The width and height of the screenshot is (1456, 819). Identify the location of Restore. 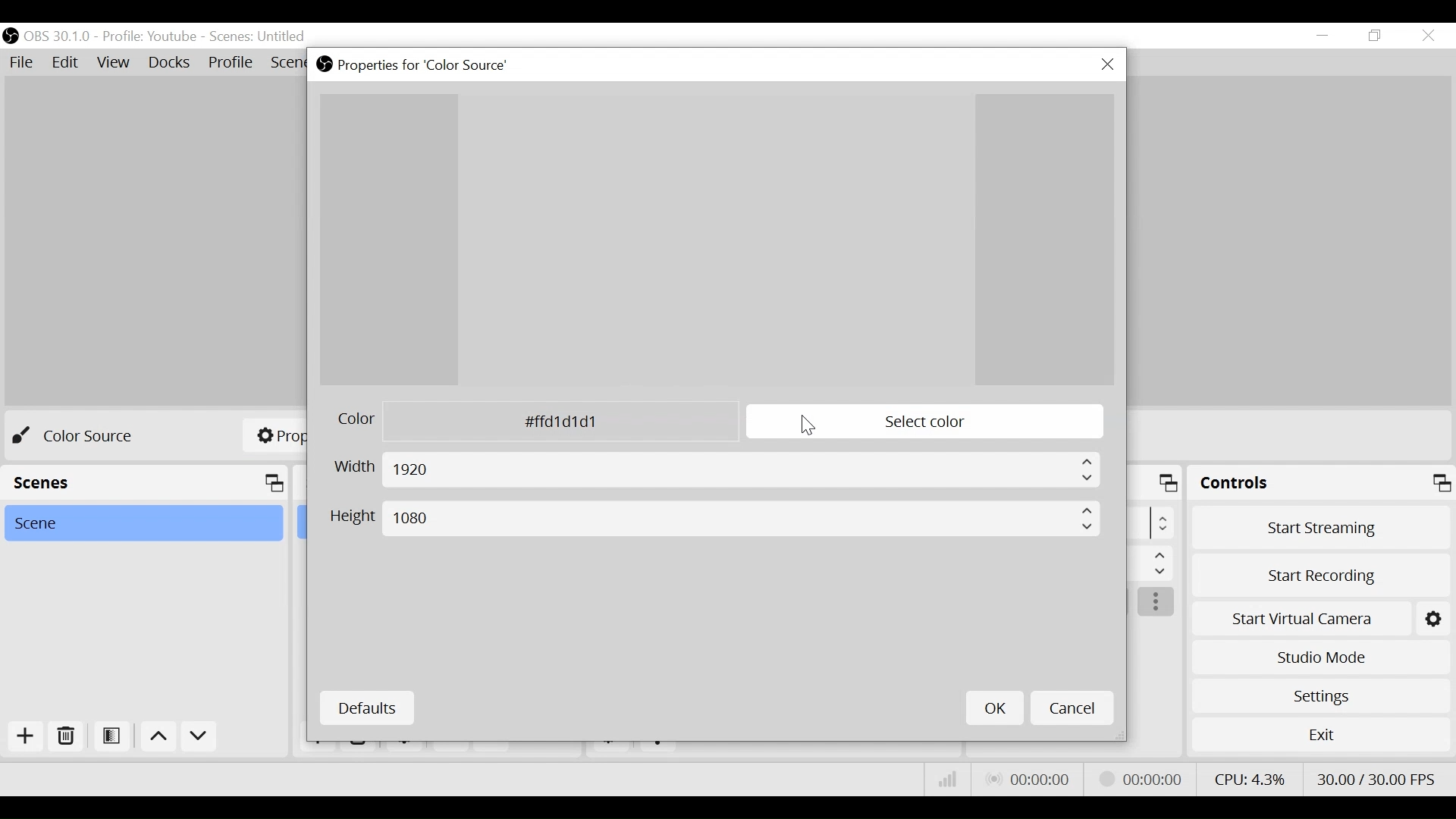
(1379, 36).